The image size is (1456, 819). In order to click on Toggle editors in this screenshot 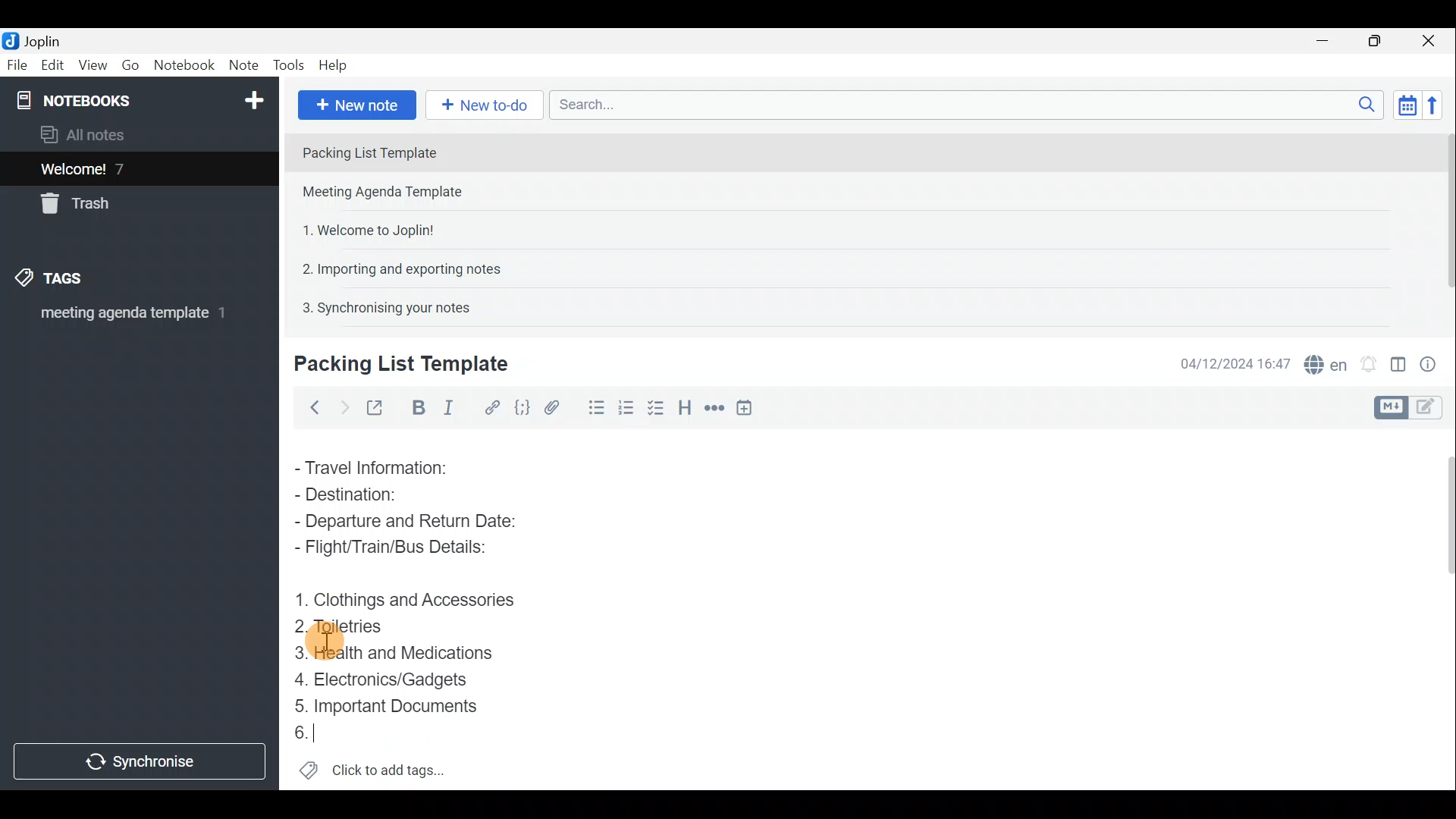, I will do `click(1433, 409)`.